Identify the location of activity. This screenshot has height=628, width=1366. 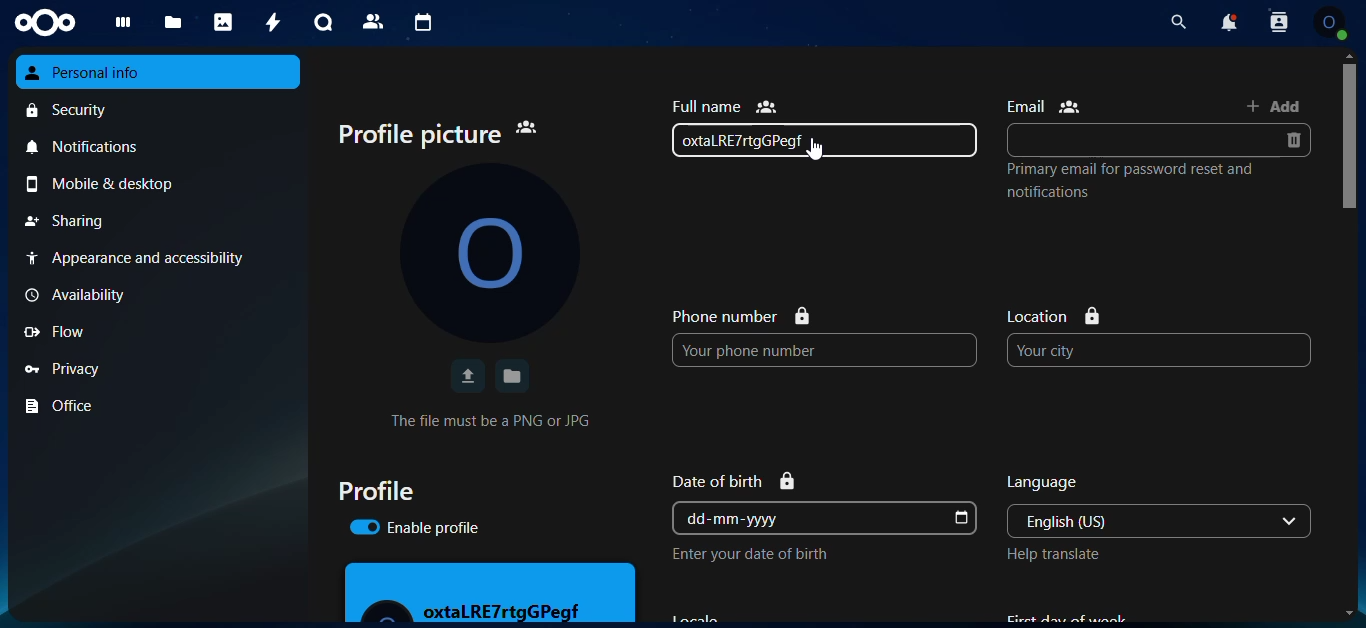
(269, 21).